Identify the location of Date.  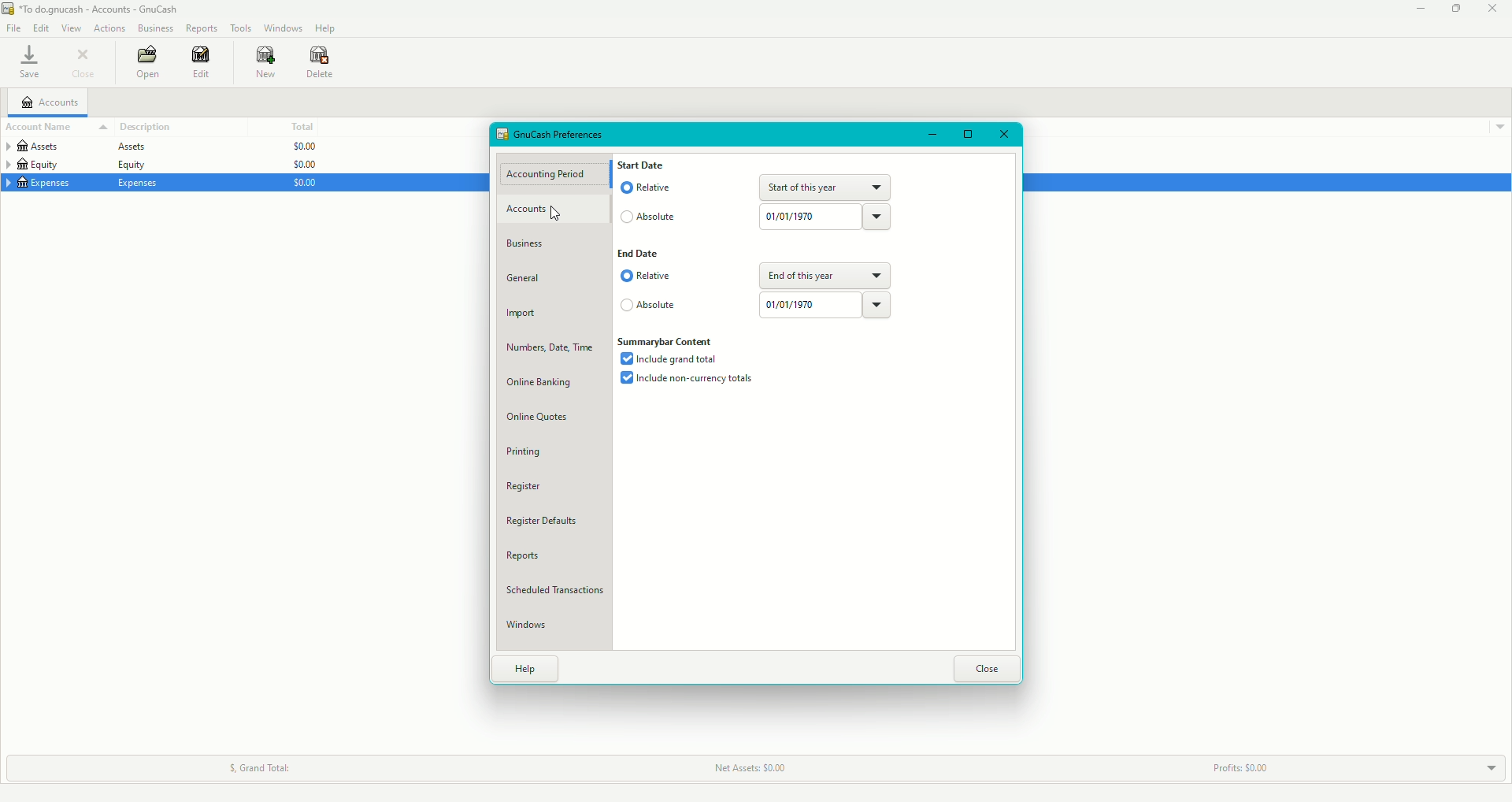
(825, 217).